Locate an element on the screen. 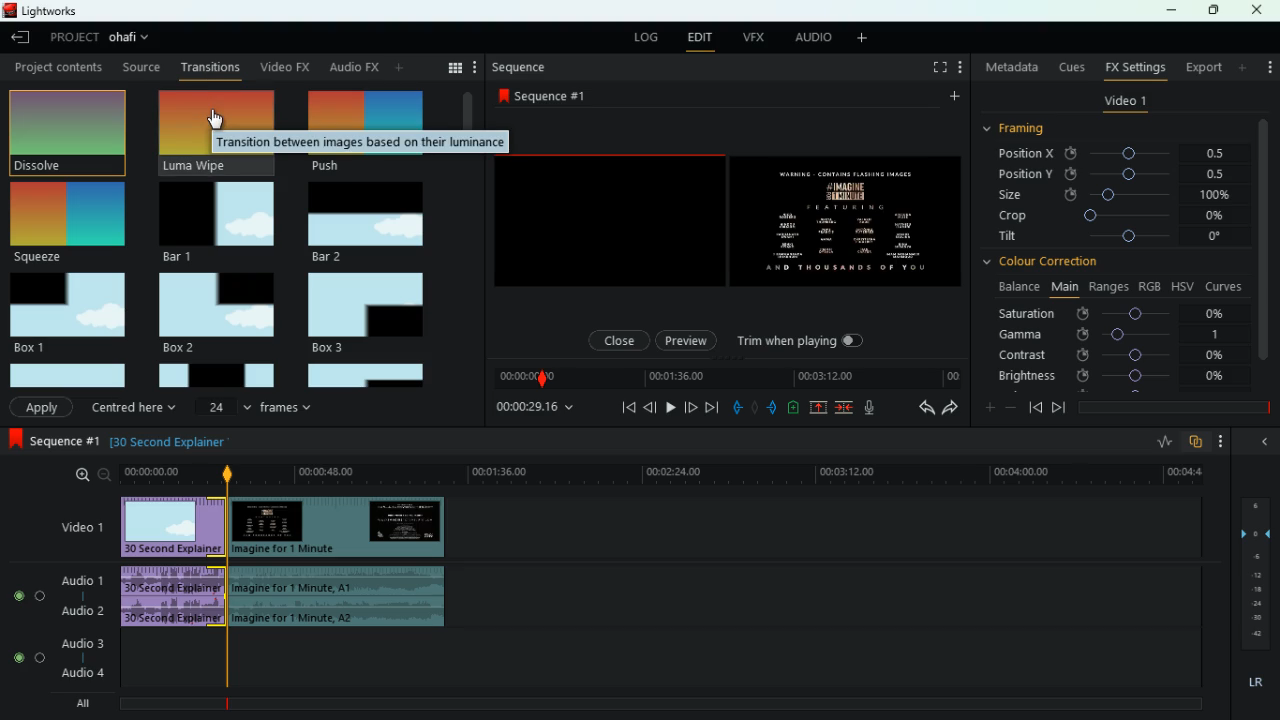 The height and width of the screenshot is (720, 1280). sequence is located at coordinates (55, 442).